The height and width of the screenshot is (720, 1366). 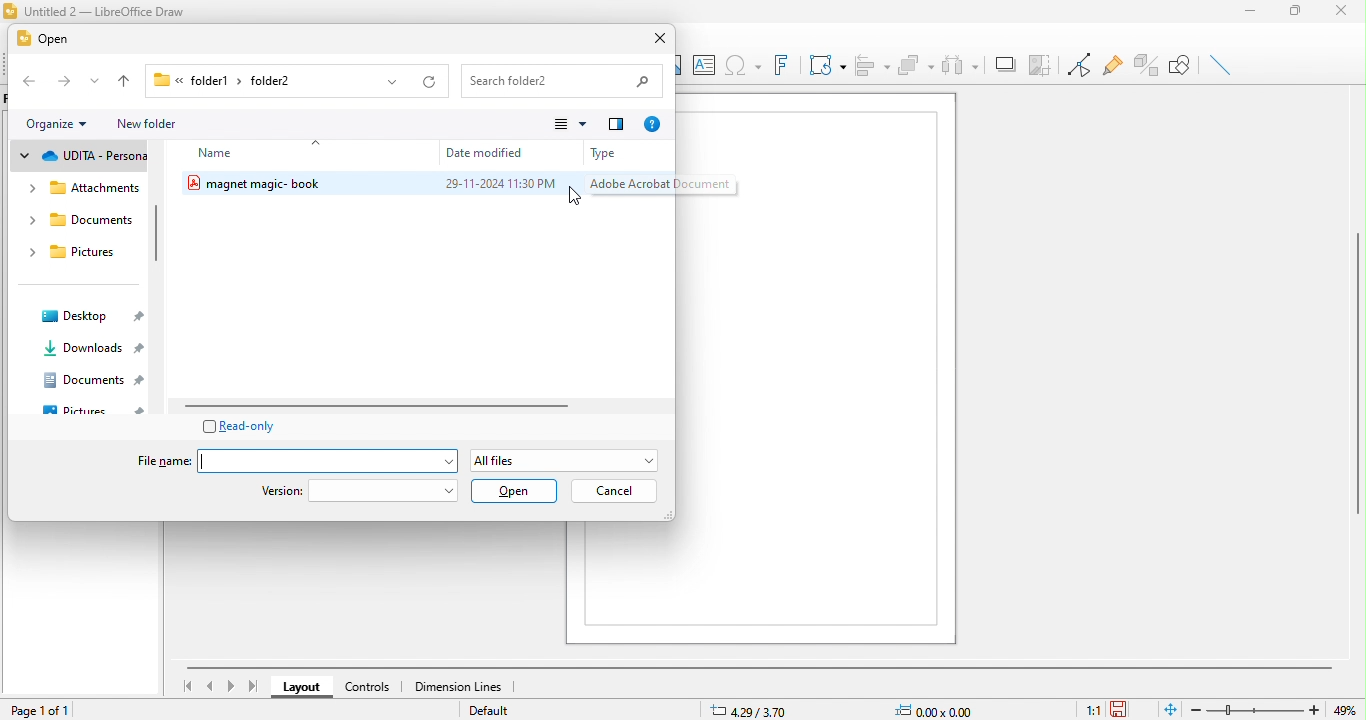 What do you see at coordinates (1127, 709) in the screenshot?
I see `the document has not been modified since the last save` at bounding box center [1127, 709].